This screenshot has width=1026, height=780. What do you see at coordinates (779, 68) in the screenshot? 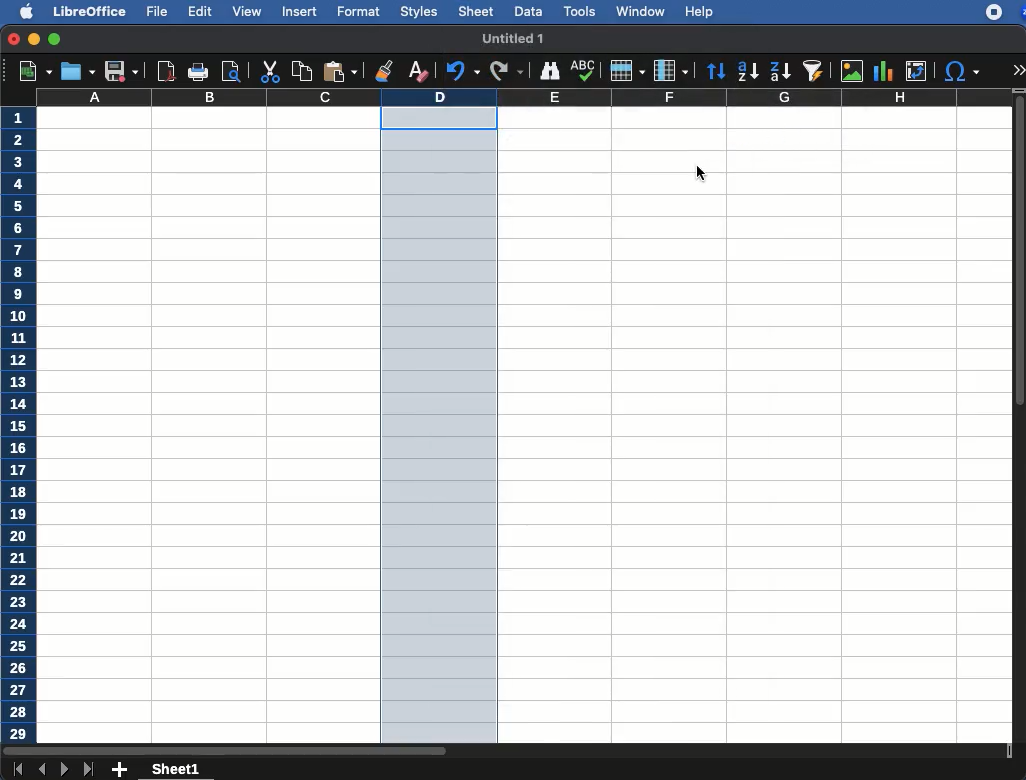
I see `descendinga` at bounding box center [779, 68].